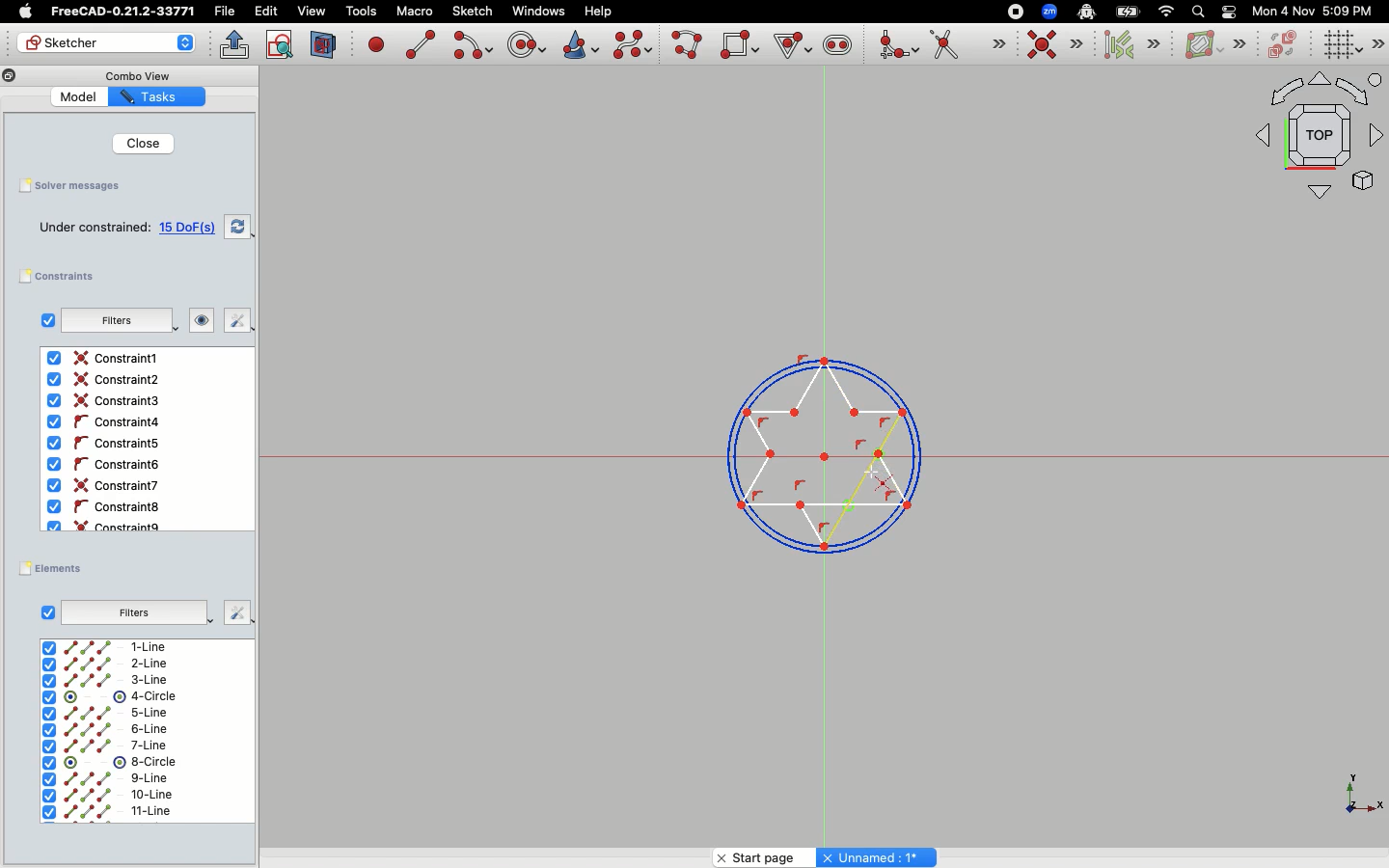 This screenshot has height=868, width=1389. What do you see at coordinates (474, 12) in the screenshot?
I see `Sketch` at bounding box center [474, 12].